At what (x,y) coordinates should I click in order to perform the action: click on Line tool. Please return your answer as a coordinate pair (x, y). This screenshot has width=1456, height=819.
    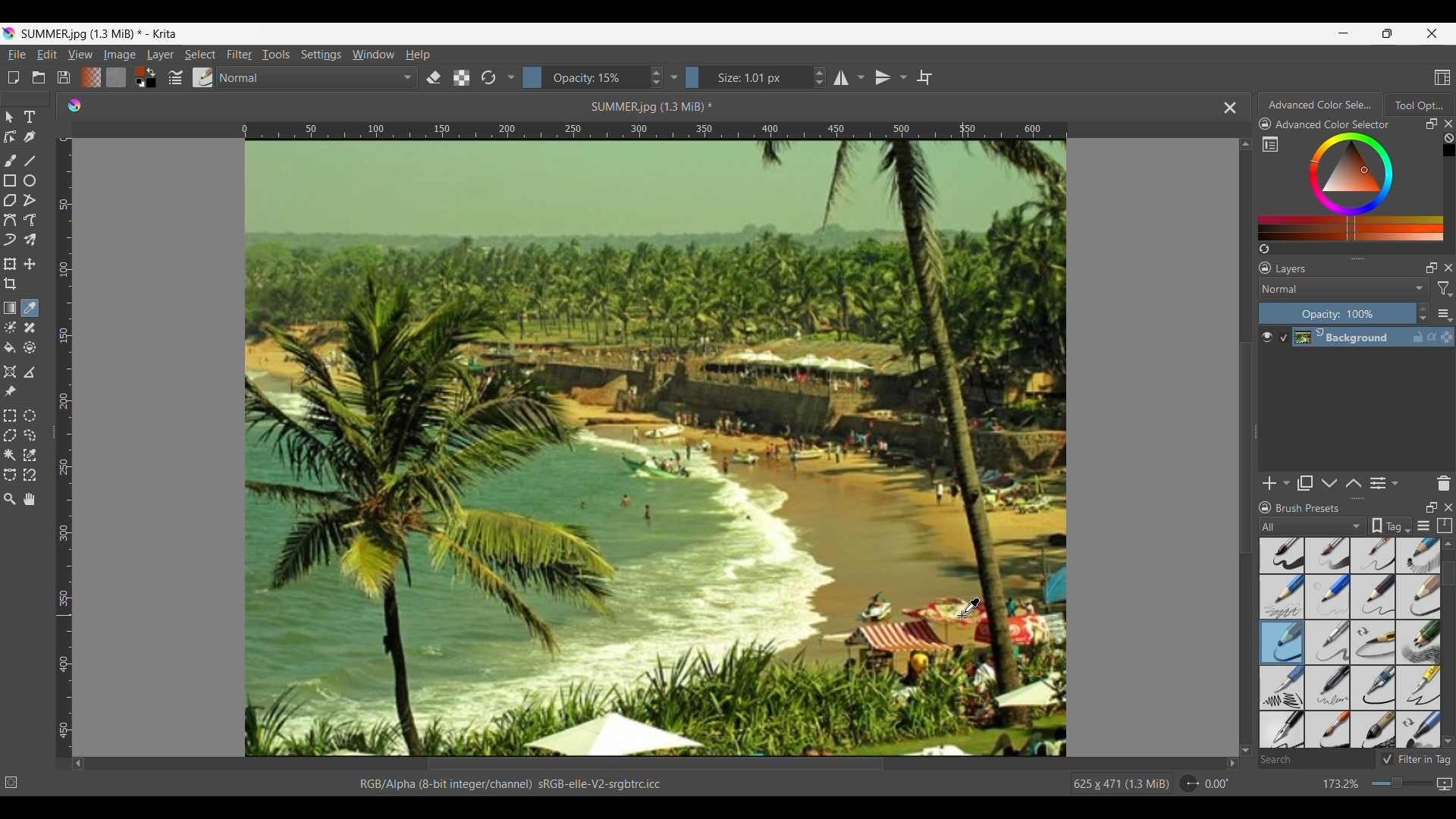
    Looking at the image, I should click on (31, 161).